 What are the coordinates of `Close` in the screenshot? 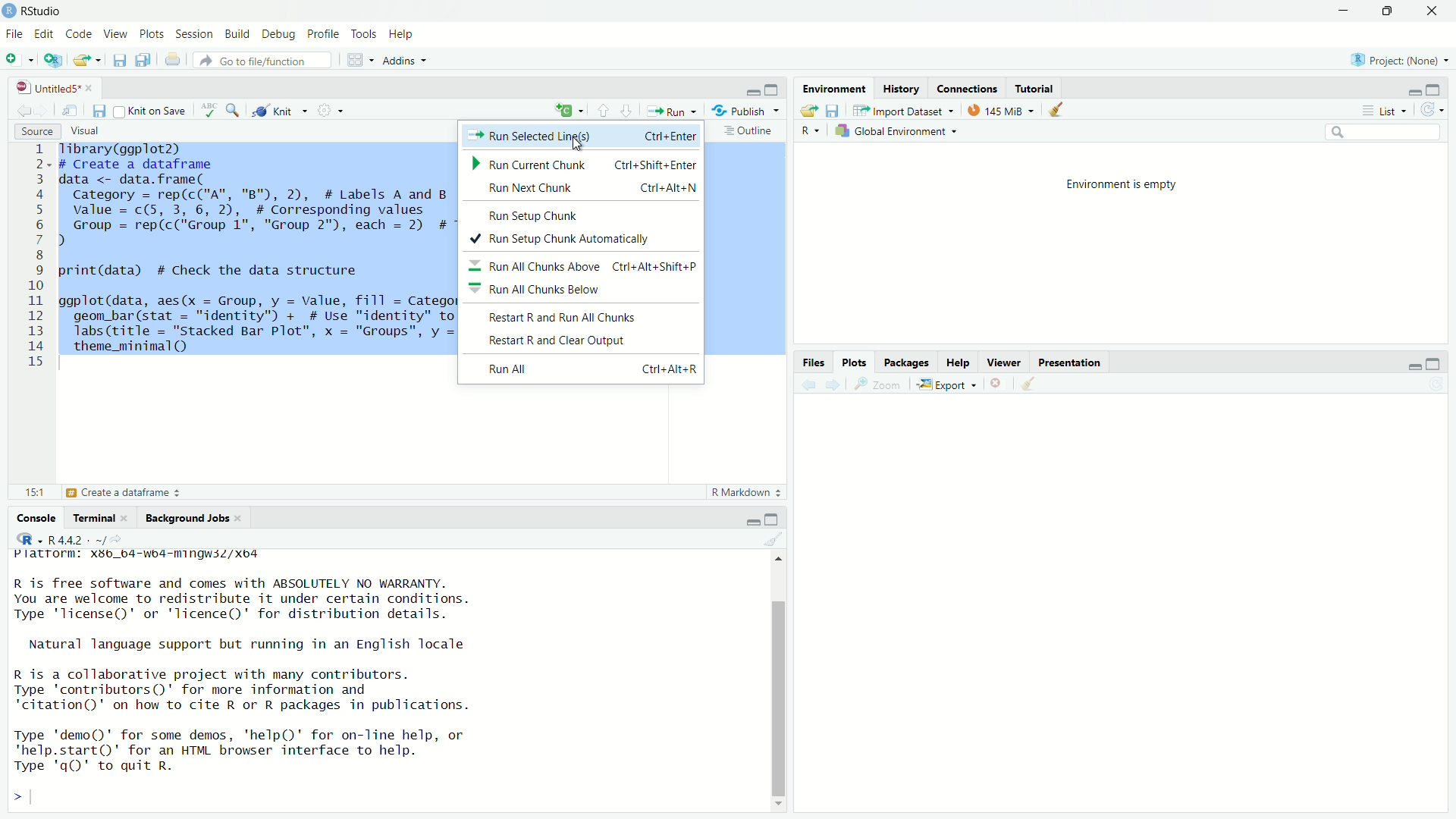 It's located at (1435, 12).